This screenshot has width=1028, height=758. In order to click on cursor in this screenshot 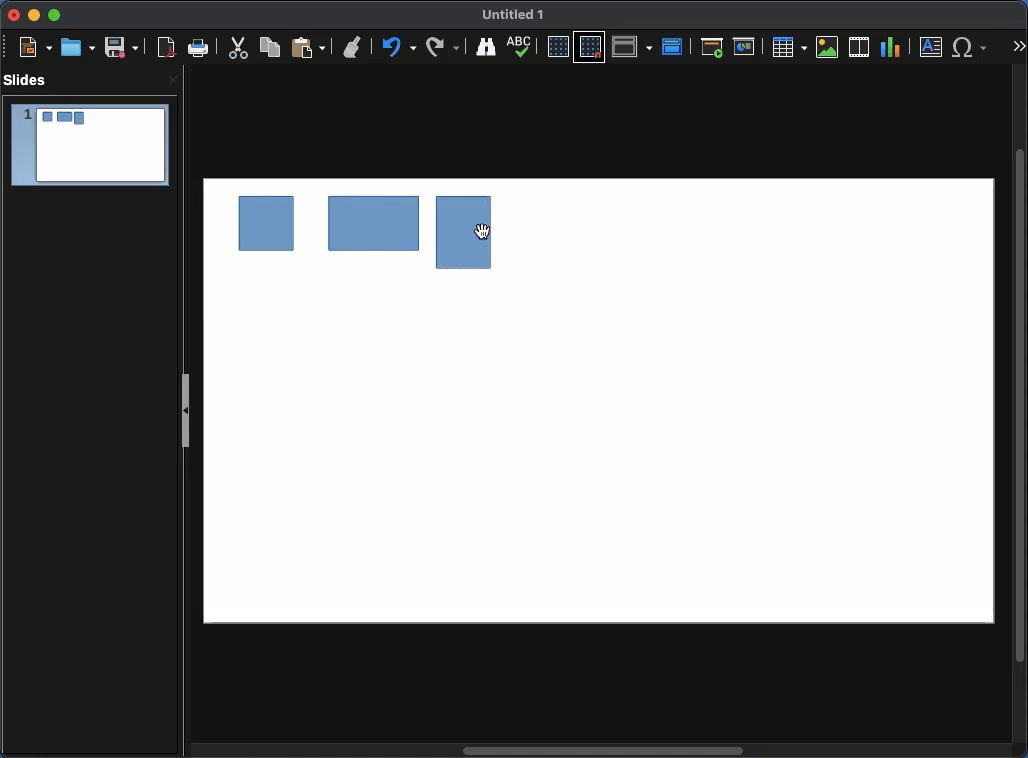, I will do `click(485, 233)`.